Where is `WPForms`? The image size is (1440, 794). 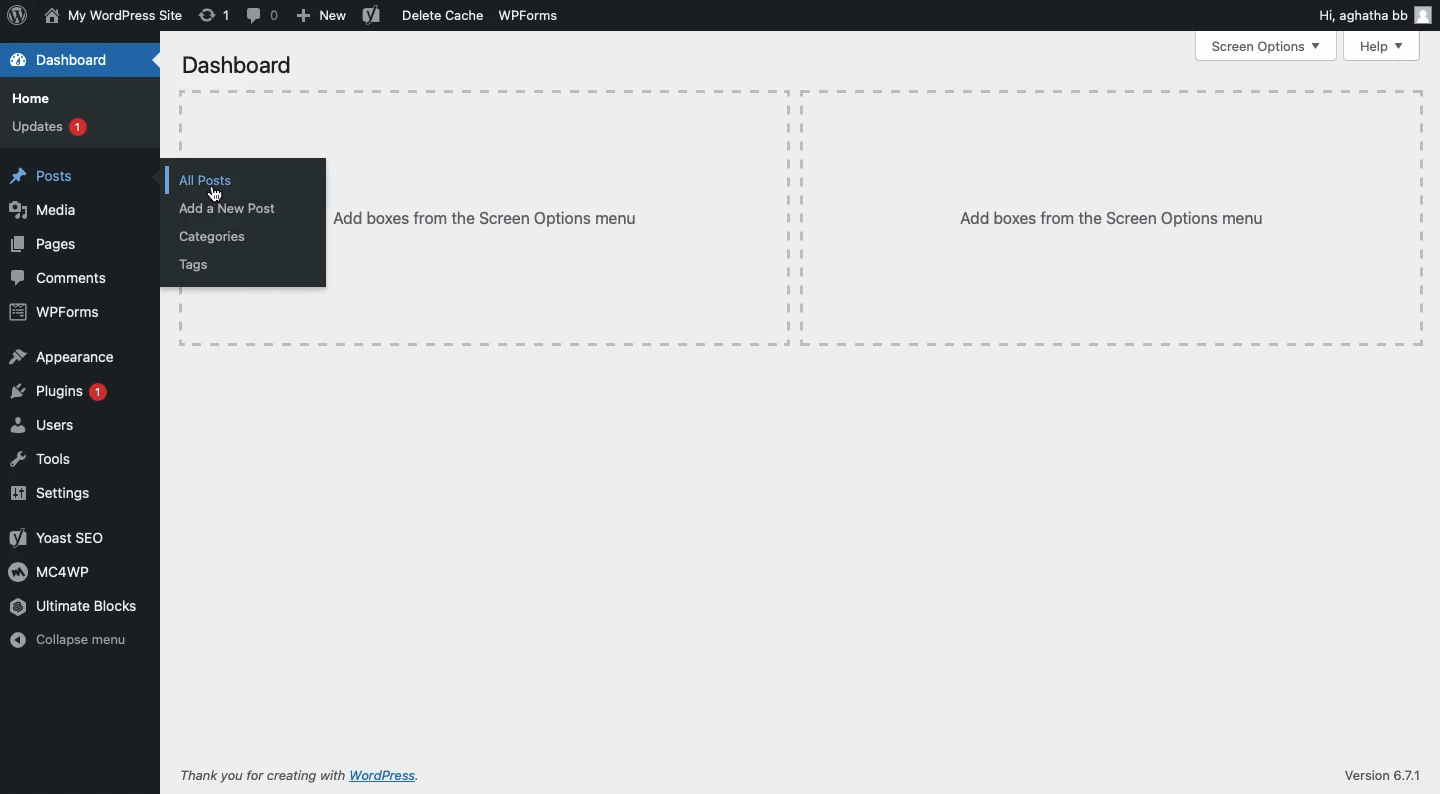 WPForms is located at coordinates (530, 16).